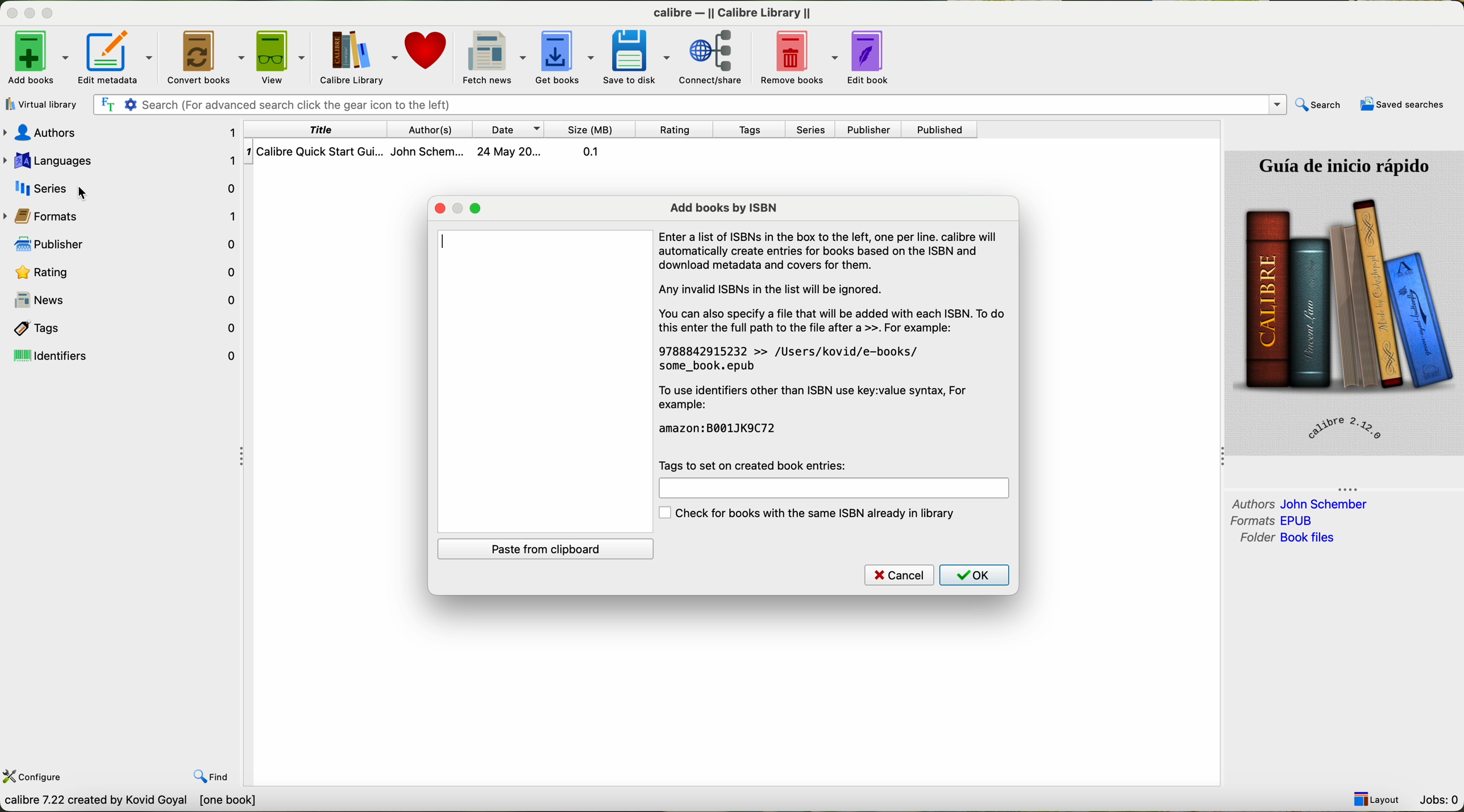 This screenshot has height=812, width=1464. Describe the element at coordinates (759, 464) in the screenshot. I see `tags to set on created book entries` at that location.